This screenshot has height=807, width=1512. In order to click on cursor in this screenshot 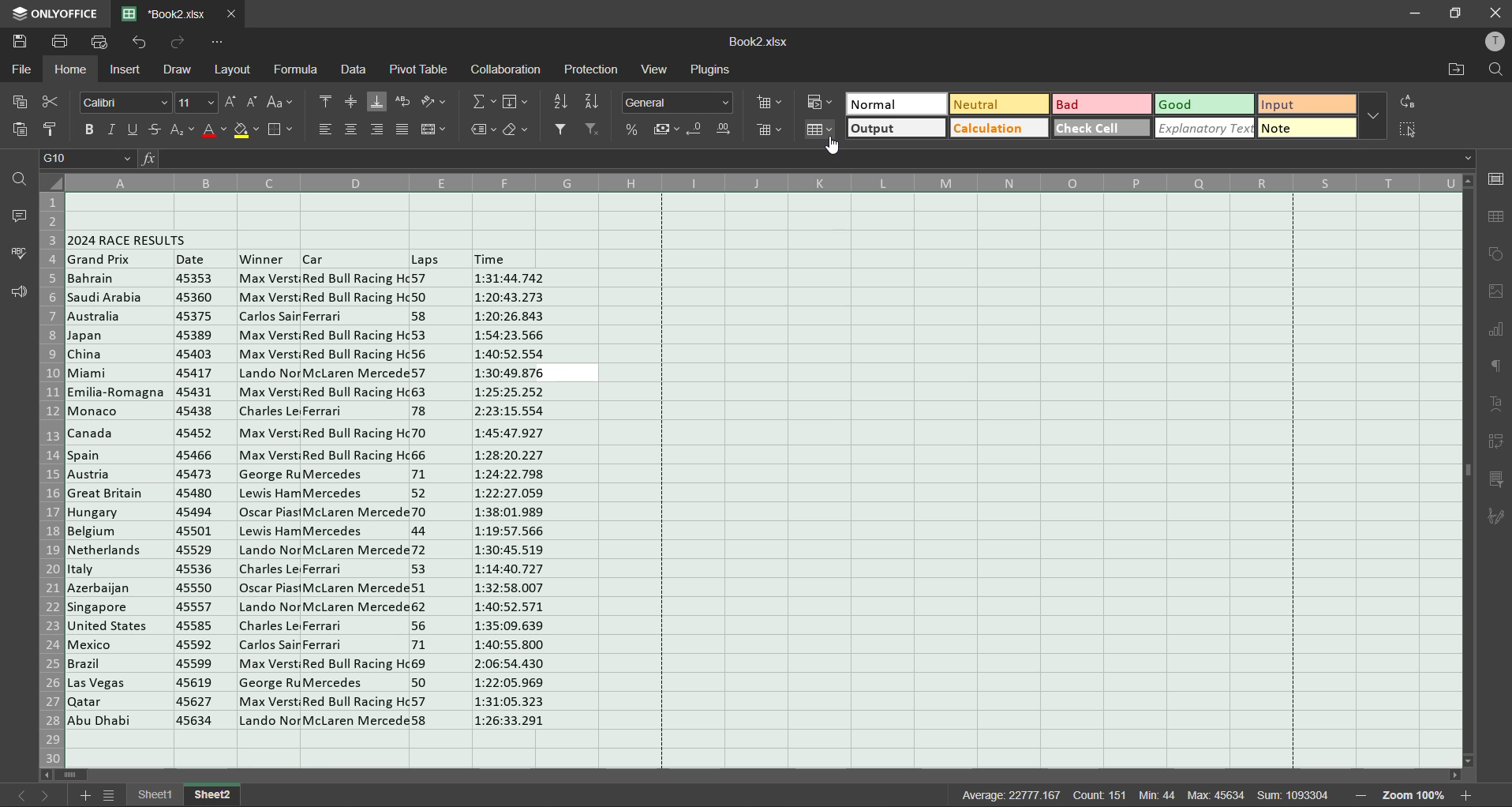, I will do `click(835, 148)`.